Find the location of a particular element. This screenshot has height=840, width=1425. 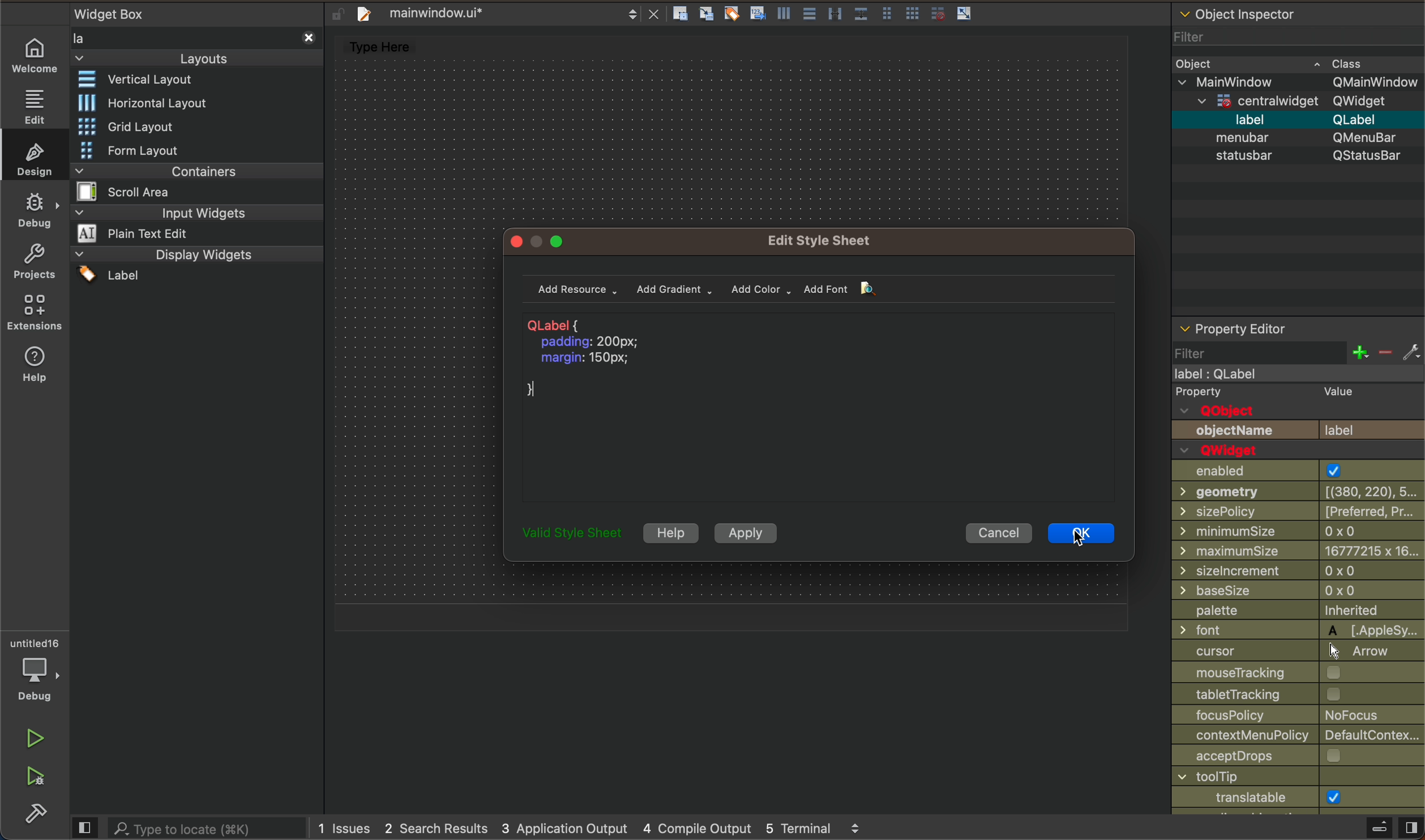

acceptdrops is located at coordinates (1298, 757).